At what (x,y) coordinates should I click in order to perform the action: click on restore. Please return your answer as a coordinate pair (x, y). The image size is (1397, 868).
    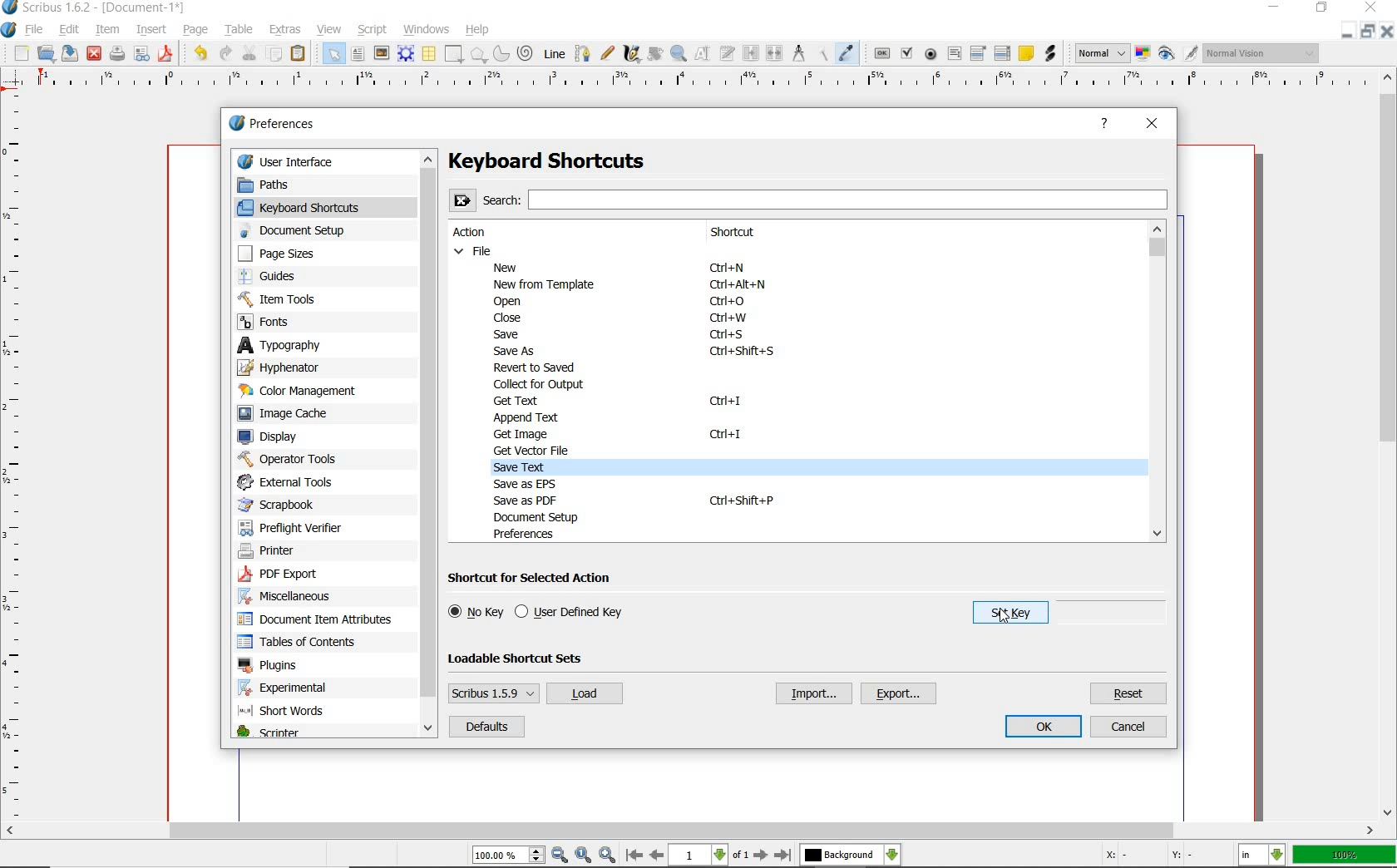
    Looking at the image, I should click on (1345, 32).